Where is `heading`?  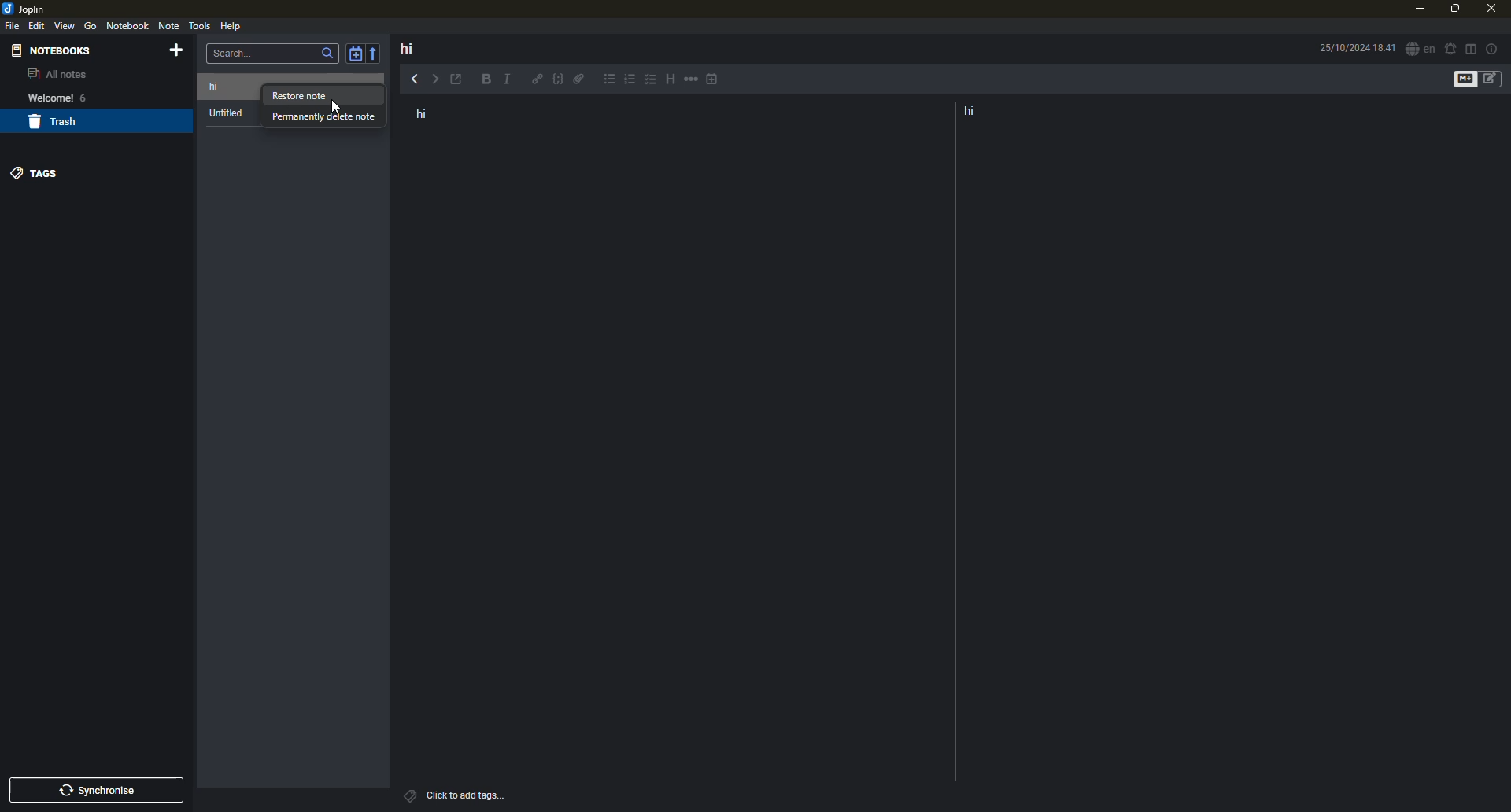 heading is located at coordinates (667, 79).